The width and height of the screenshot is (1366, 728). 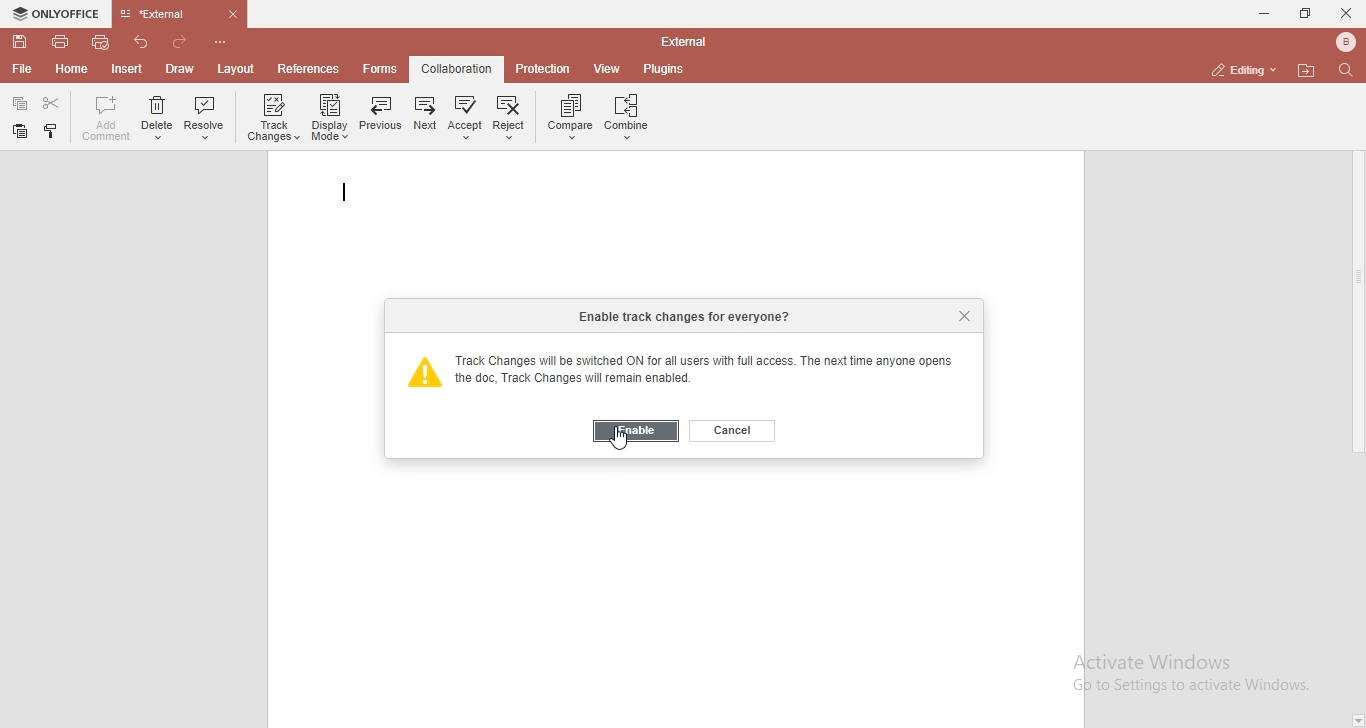 What do you see at coordinates (685, 318) in the screenshot?
I see `enable track changes for everyone` at bounding box center [685, 318].